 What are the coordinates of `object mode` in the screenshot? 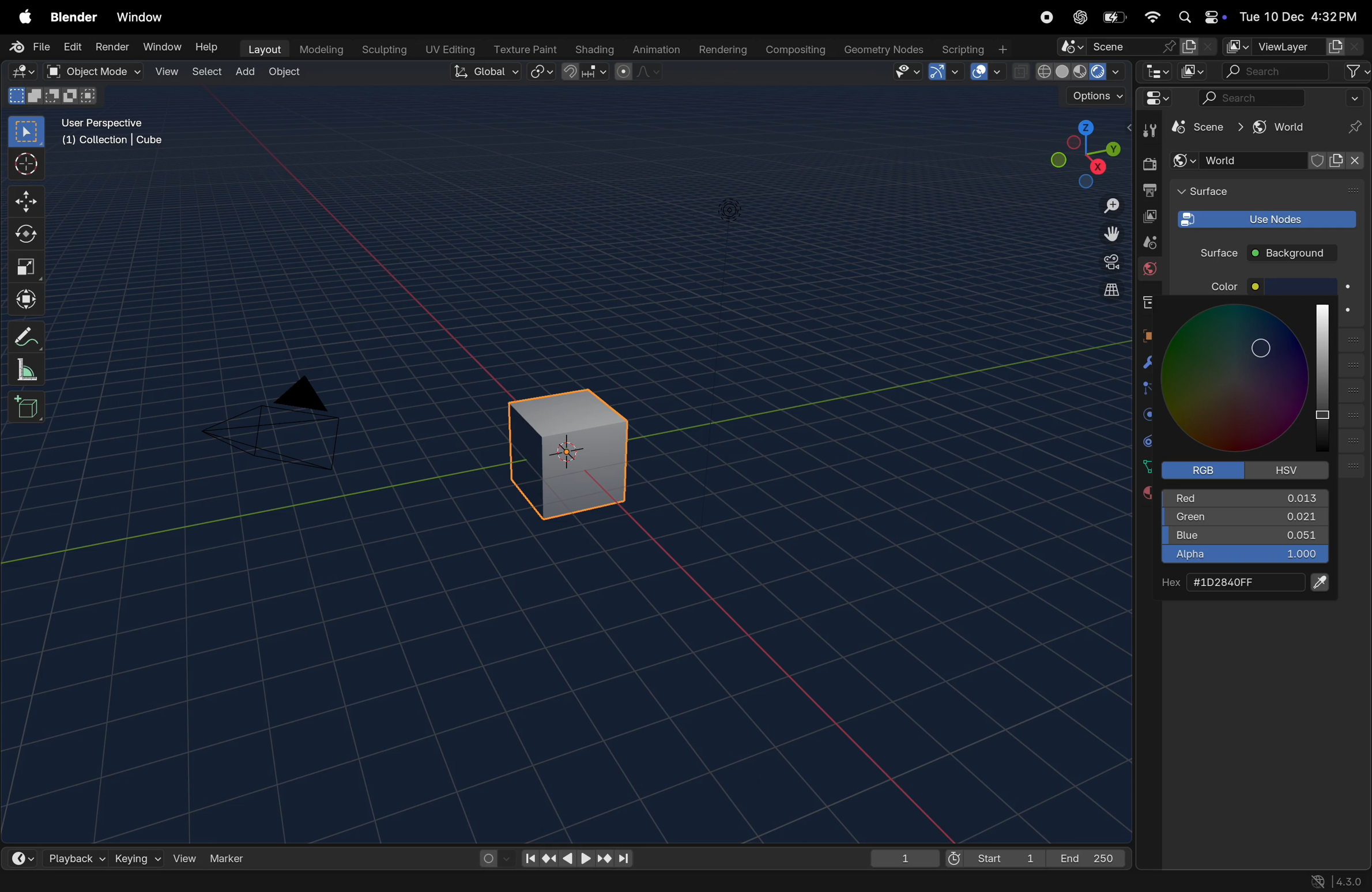 It's located at (96, 71).